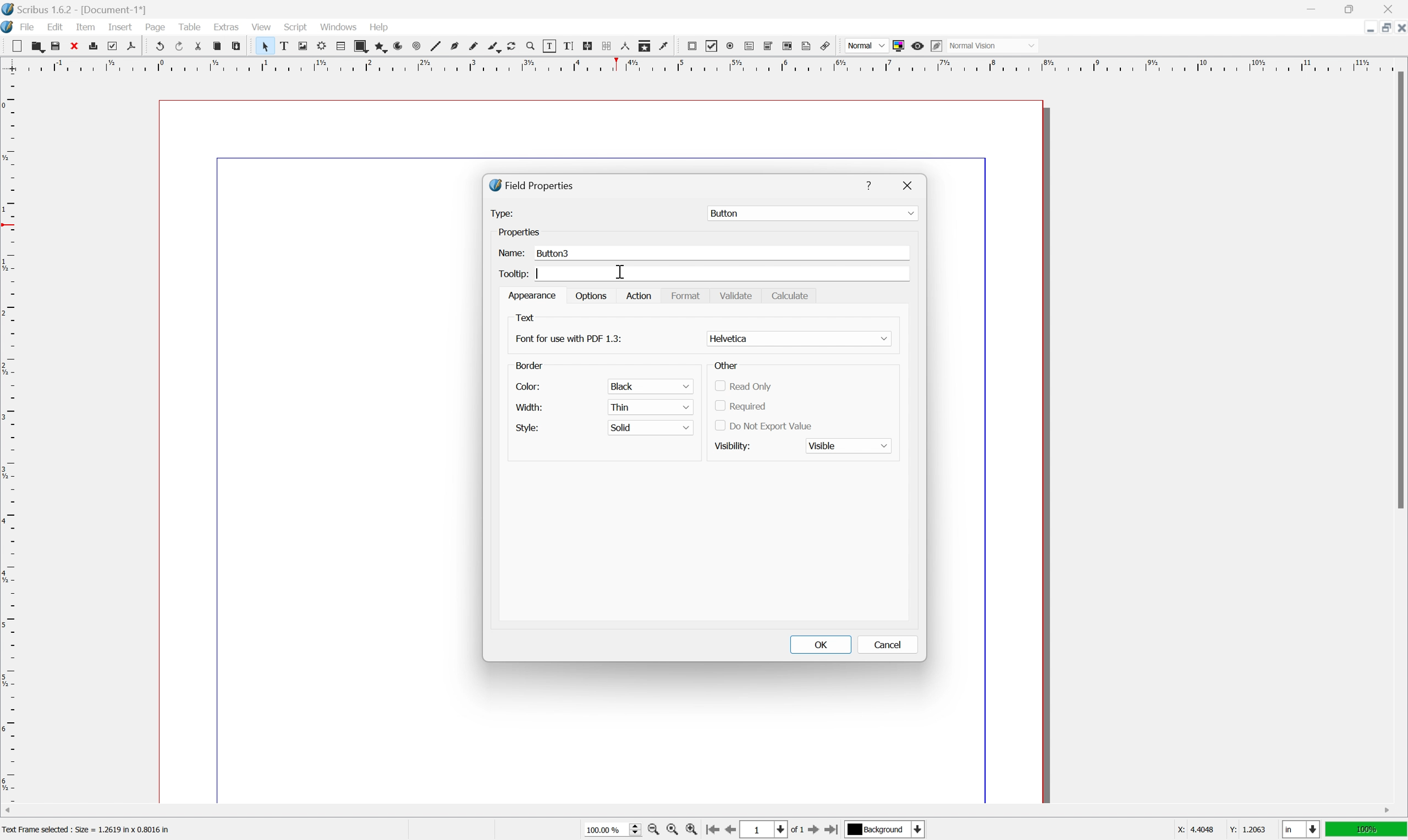 The height and width of the screenshot is (840, 1408). I want to click on script, so click(297, 26).